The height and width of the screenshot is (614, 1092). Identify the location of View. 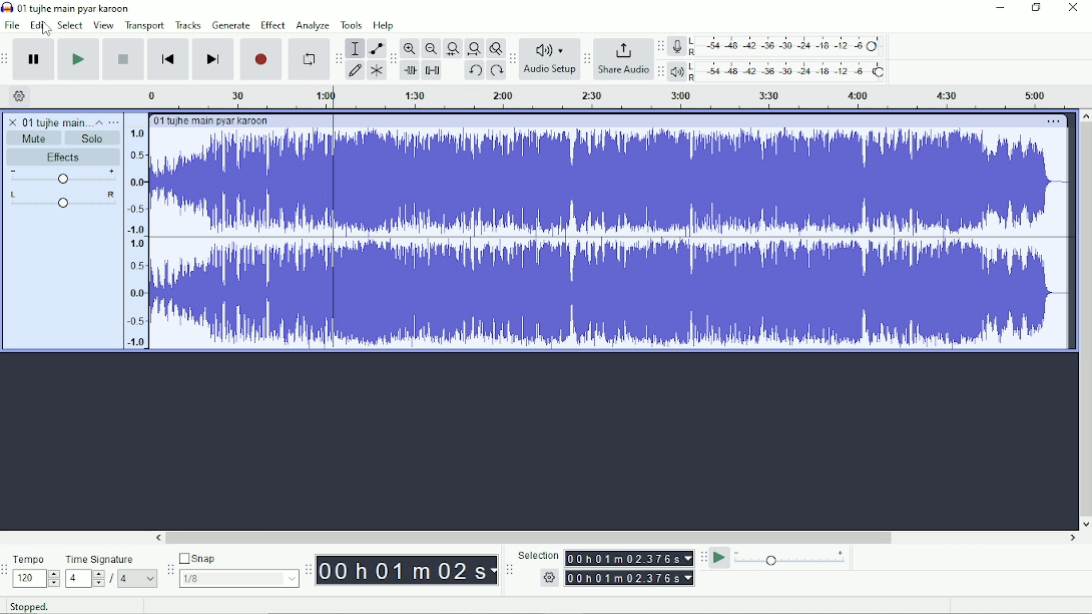
(104, 25).